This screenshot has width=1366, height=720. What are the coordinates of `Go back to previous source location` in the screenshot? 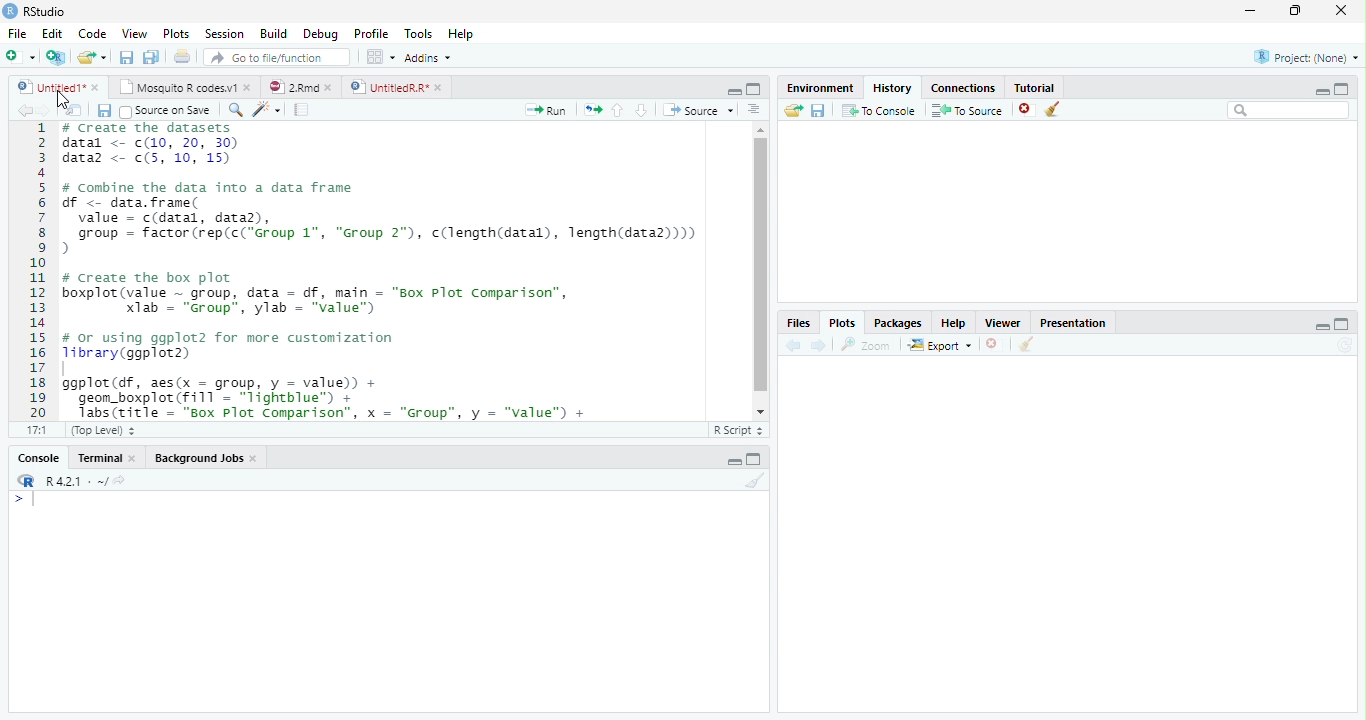 It's located at (24, 110).